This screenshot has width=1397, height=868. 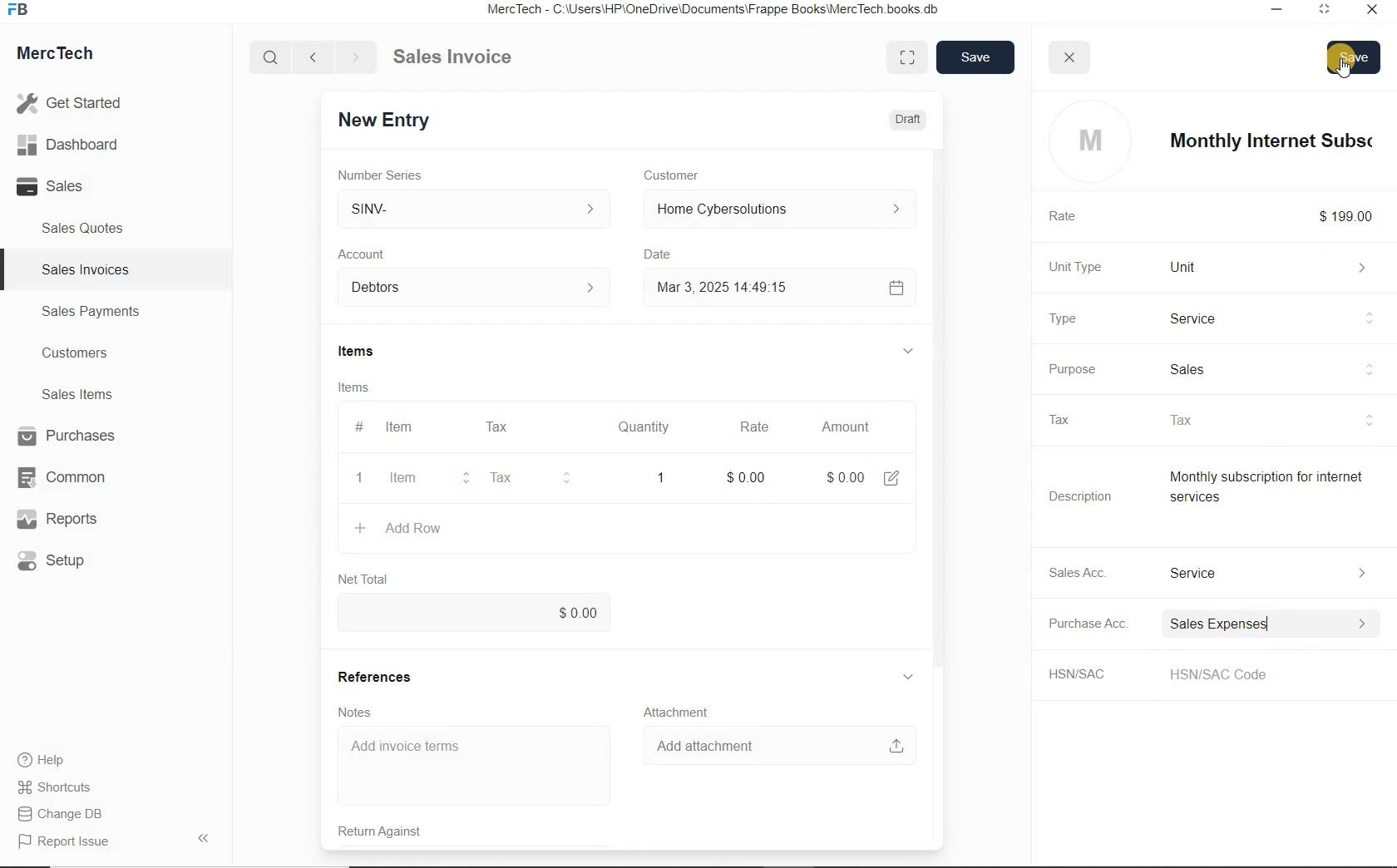 What do you see at coordinates (1264, 572) in the screenshot?
I see `Income` at bounding box center [1264, 572].